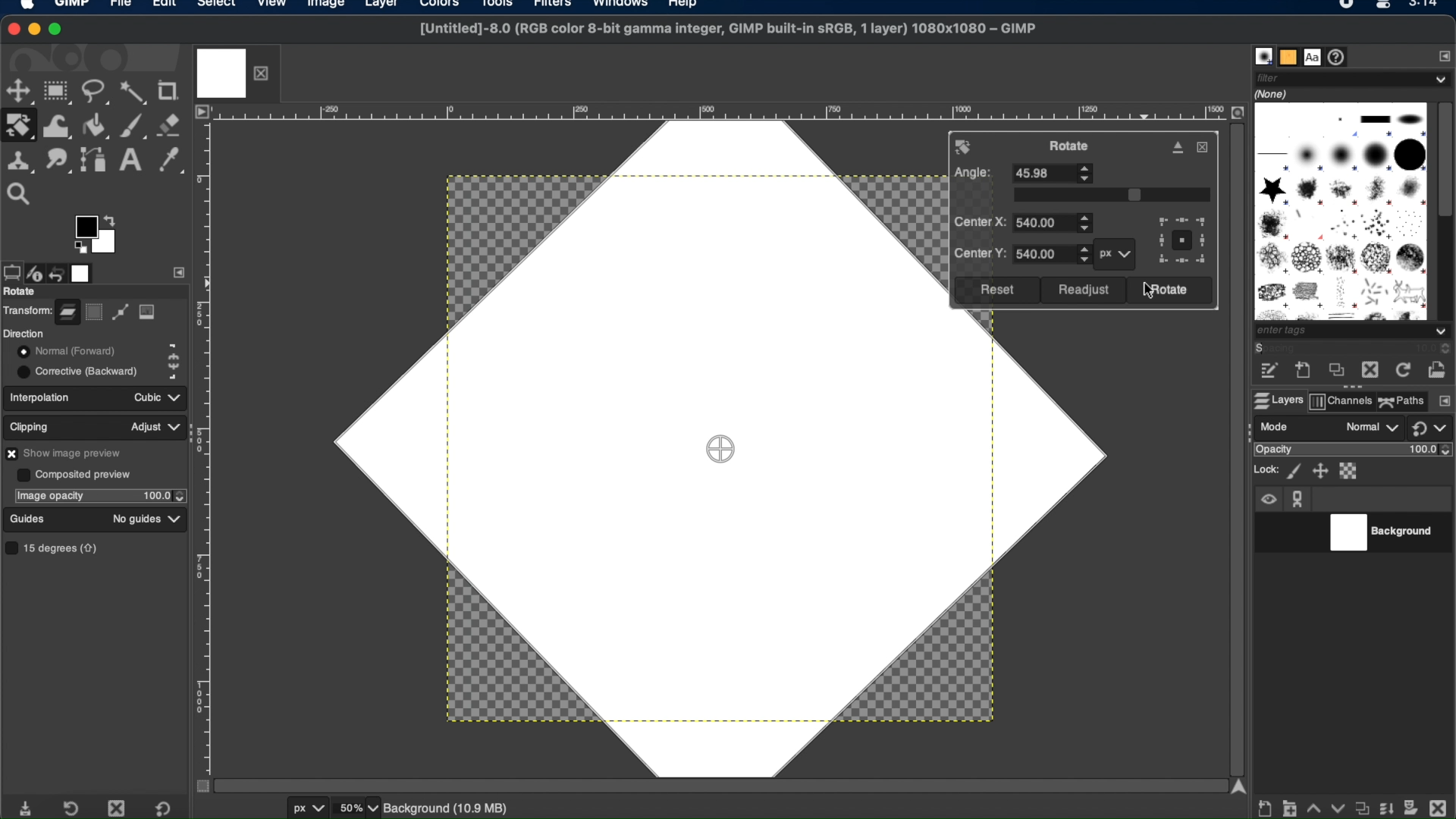 This screenshot has height=819, width=1456. Describe the element at coordinates (720, 114) in the screenshot. I see `margin` at that location.